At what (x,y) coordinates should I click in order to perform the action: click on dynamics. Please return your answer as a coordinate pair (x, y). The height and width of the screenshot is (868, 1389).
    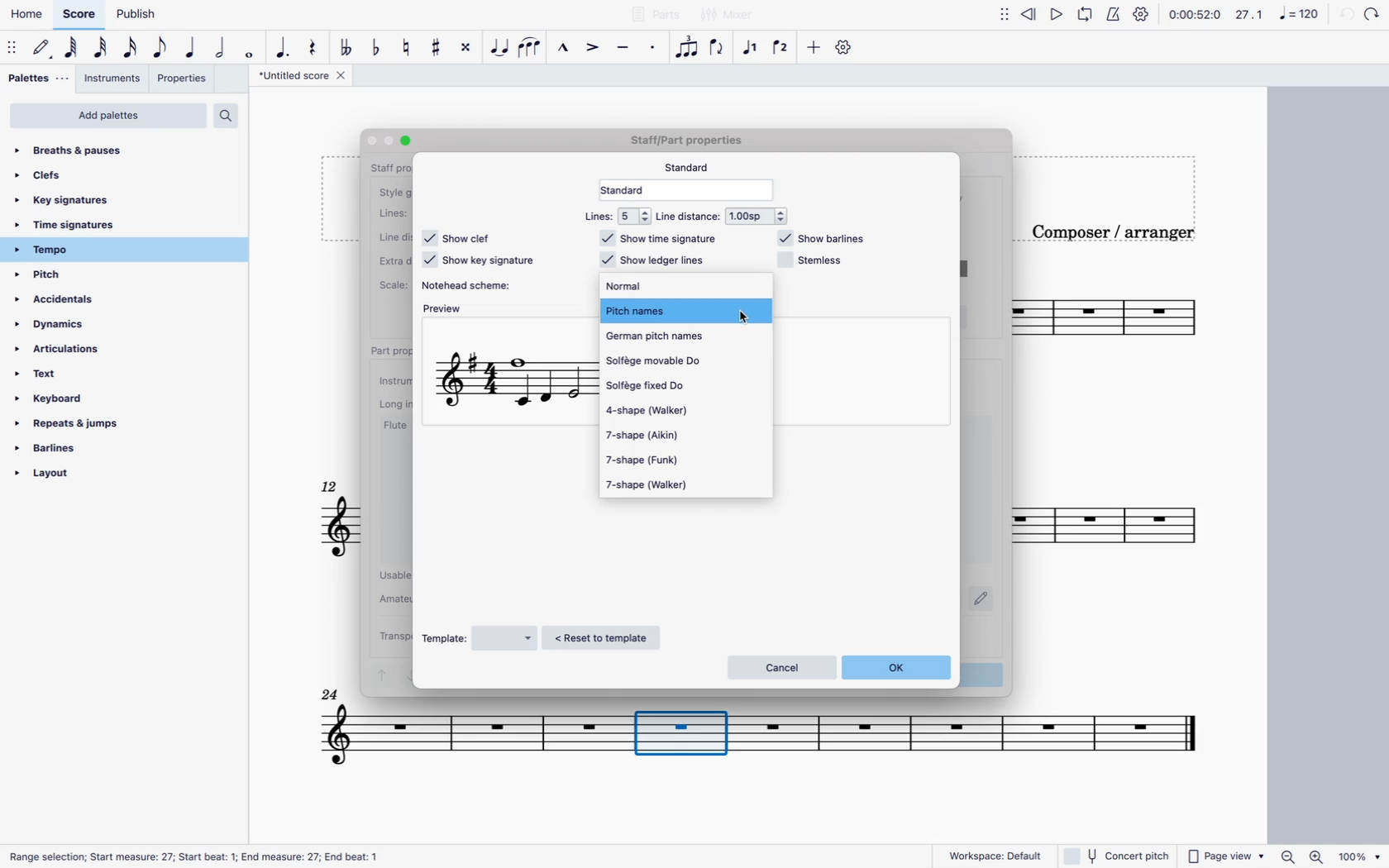
    Looking at the image, I should click on (60, 325).